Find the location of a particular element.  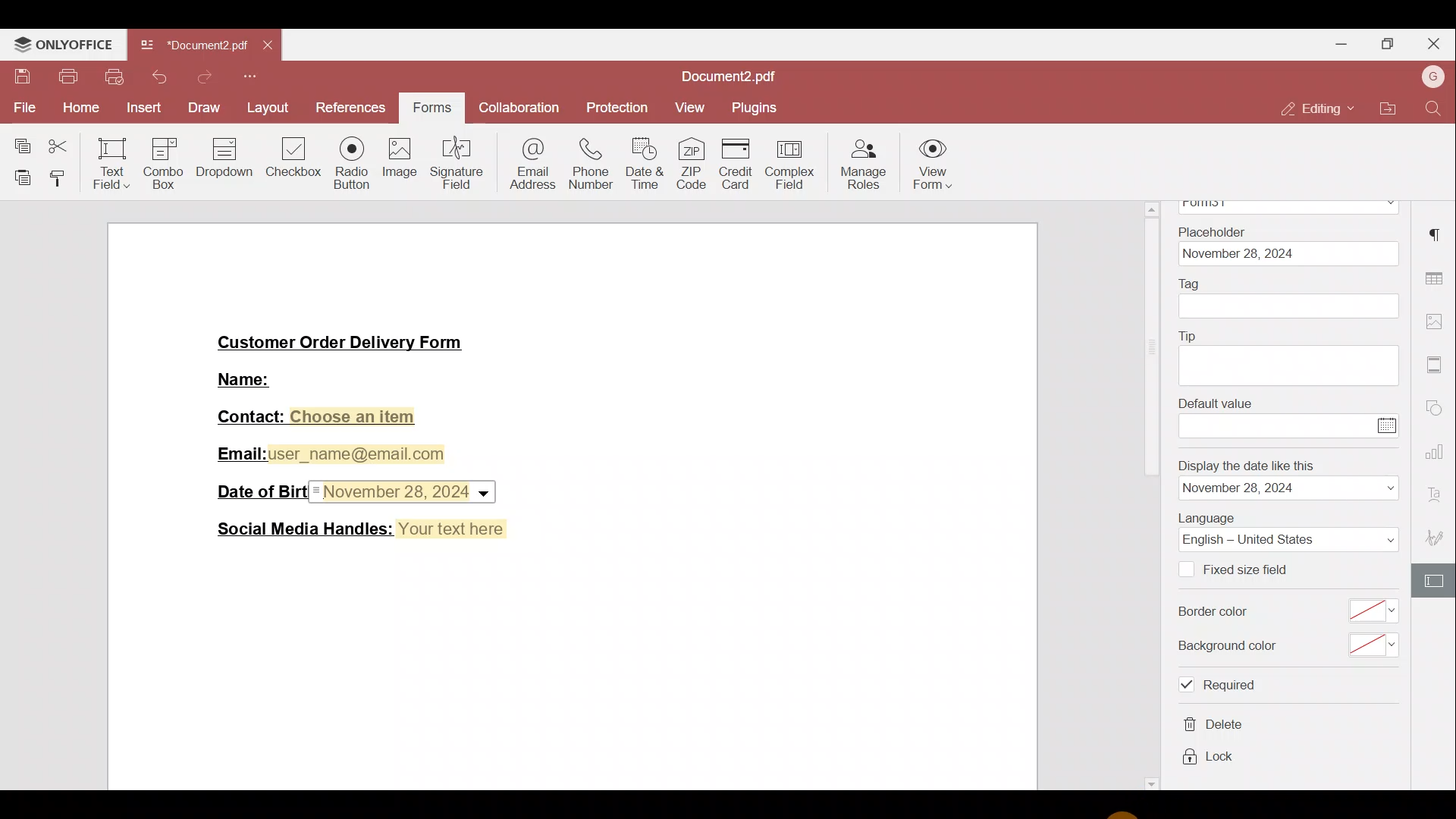

Layout is located at coordinates (269, 111).